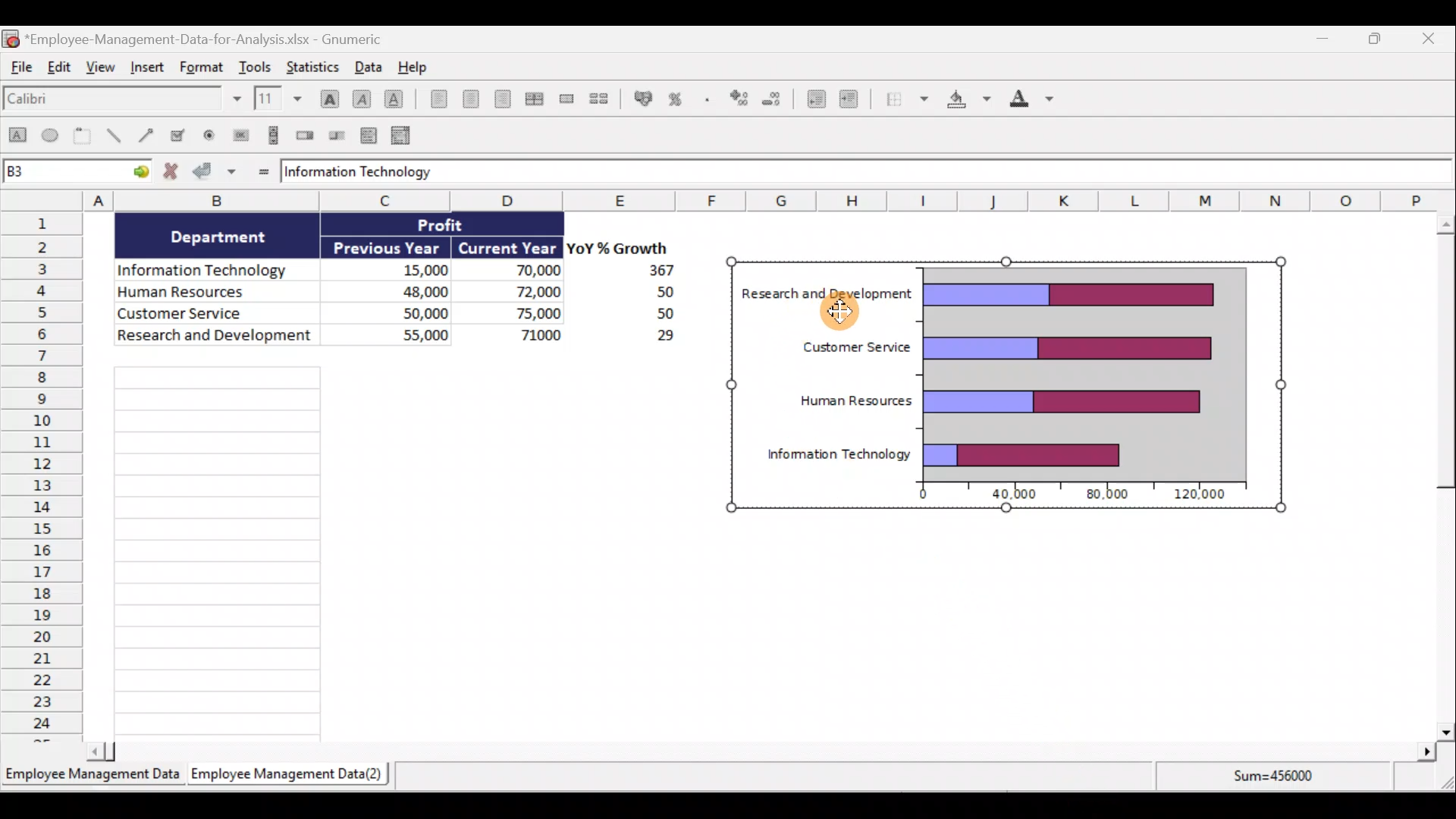 This screenshot has height=819, width=1456. Describe the element at coordinates (275, 134) in the screenshot. I see `Create a scrollbar` at that location.